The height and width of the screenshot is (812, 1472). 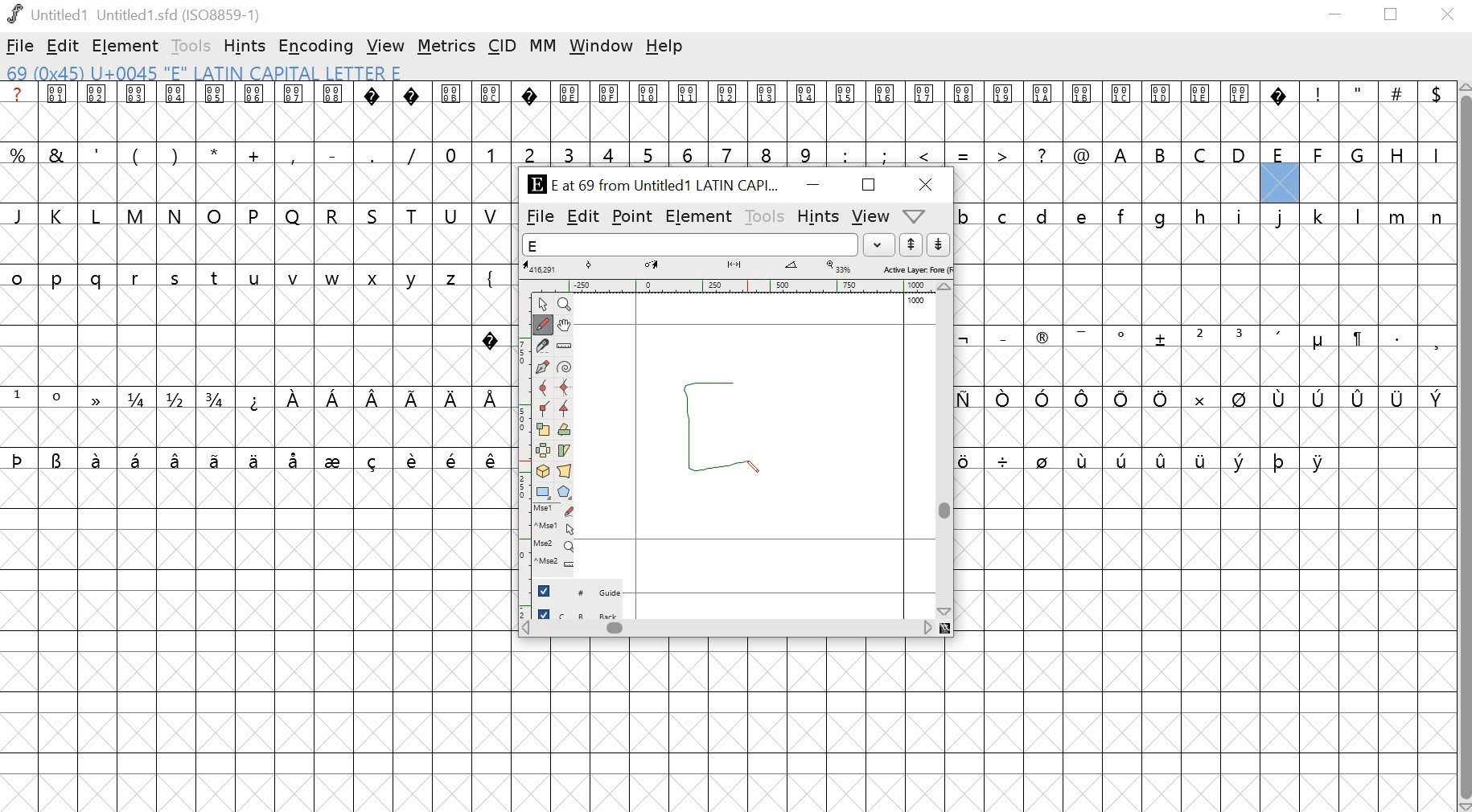 What do you see at coordinates (543, 47) in the screenshot?
I see `MM` at bounding box center [543, 47].